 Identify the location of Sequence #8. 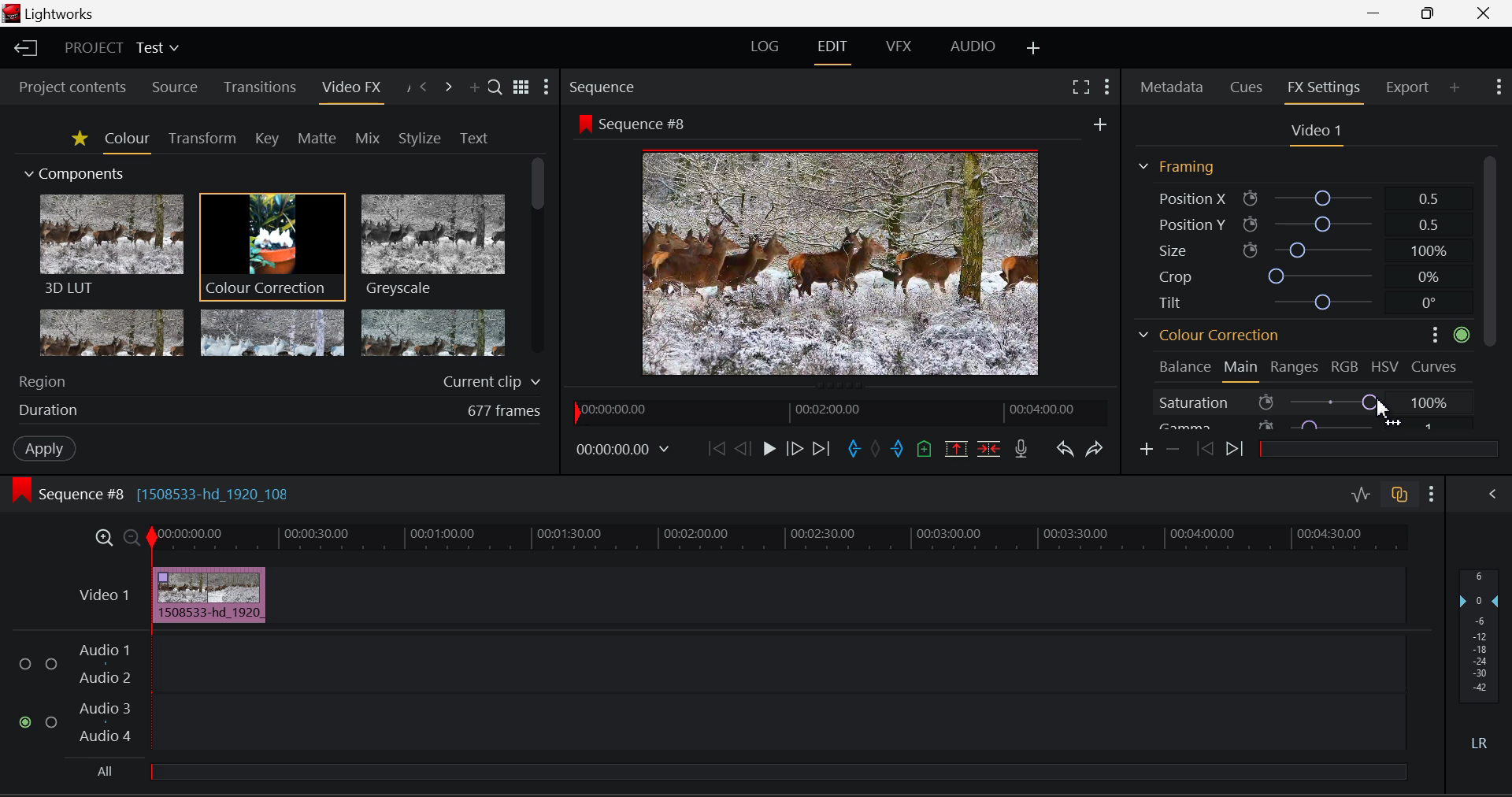
(632, 122).